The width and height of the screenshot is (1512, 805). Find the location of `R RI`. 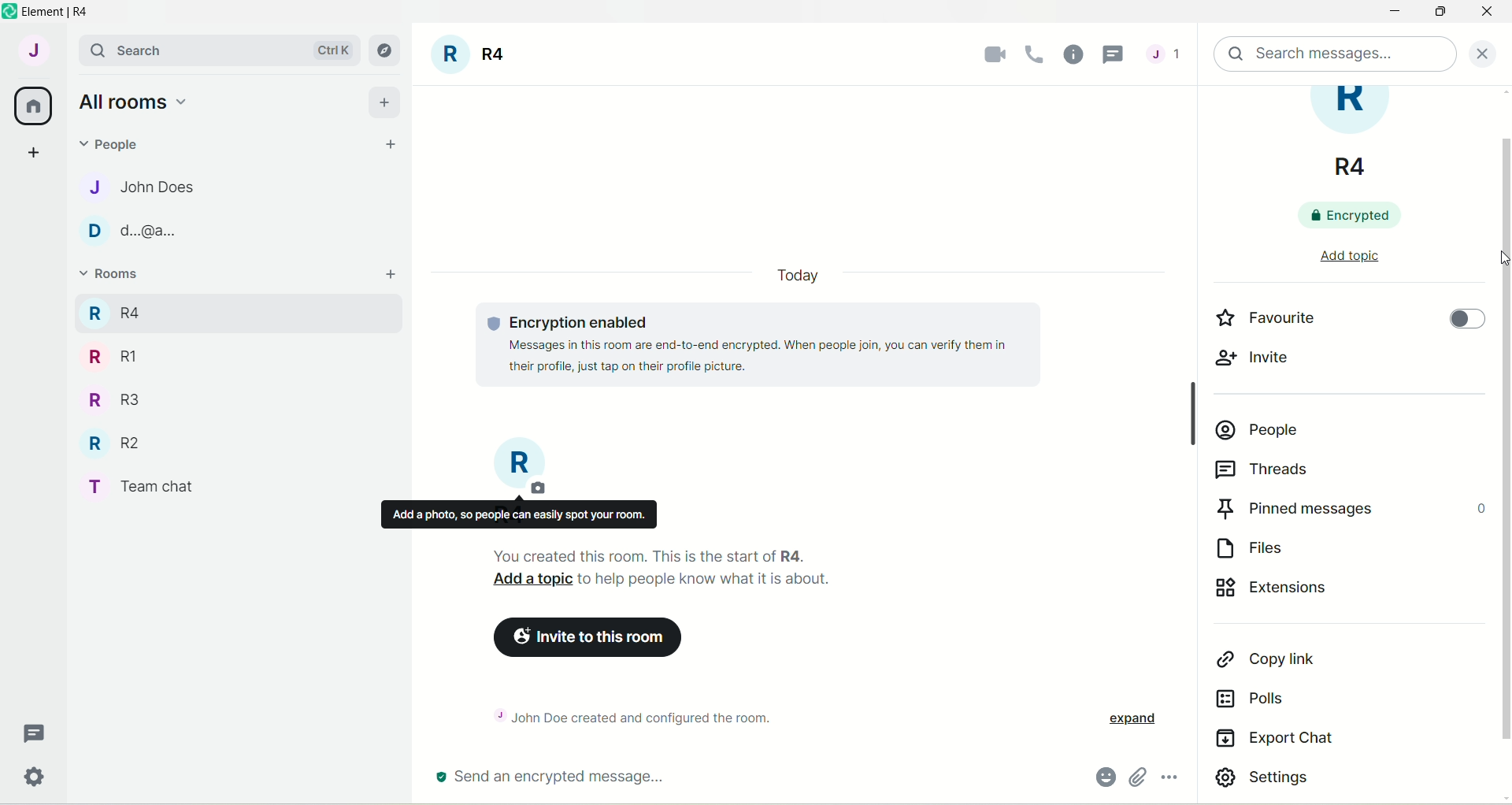

R RI is located at coordinates (113, 356).